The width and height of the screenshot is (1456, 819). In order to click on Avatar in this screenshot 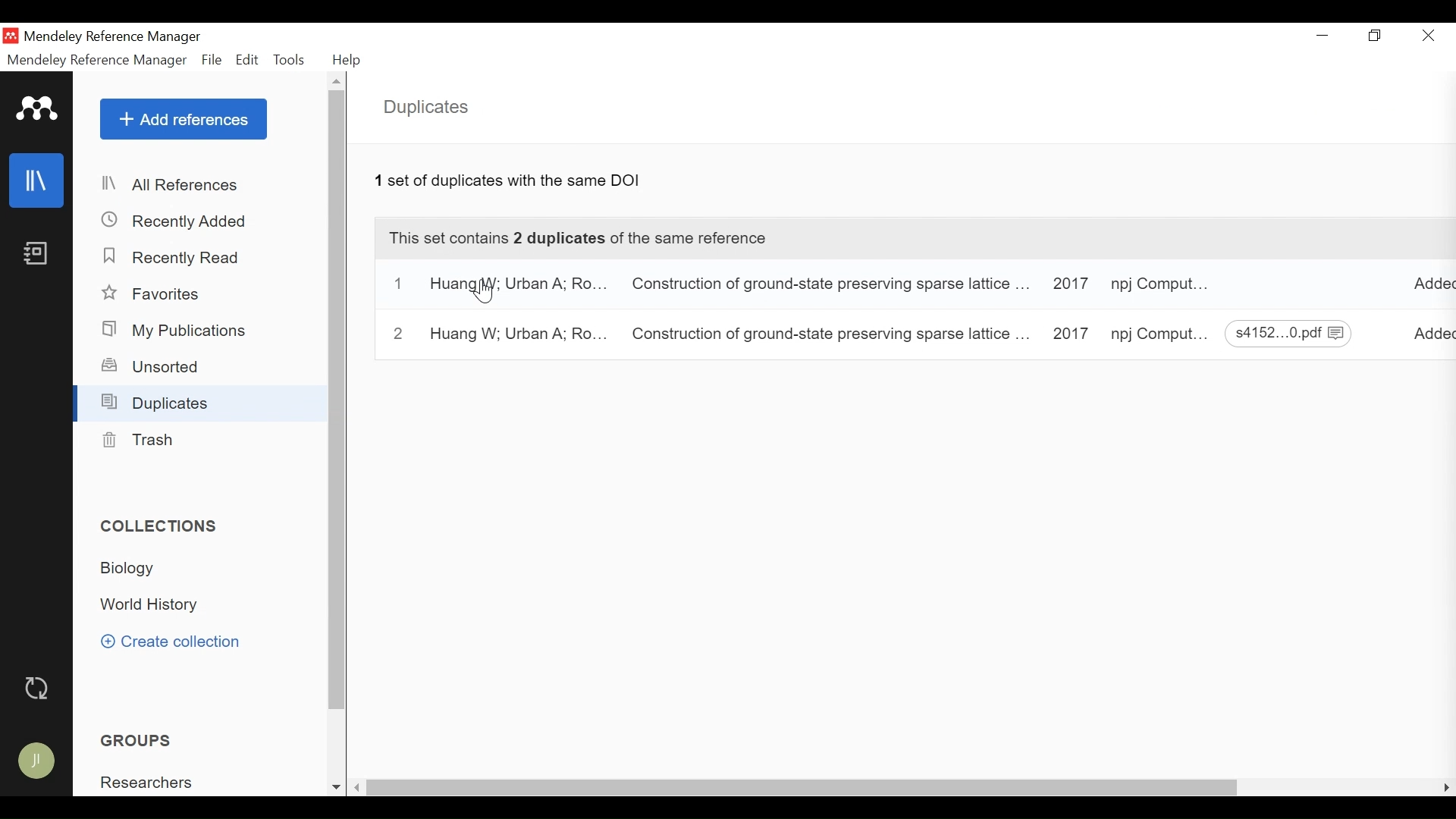, I will do `click(39, 758)`.